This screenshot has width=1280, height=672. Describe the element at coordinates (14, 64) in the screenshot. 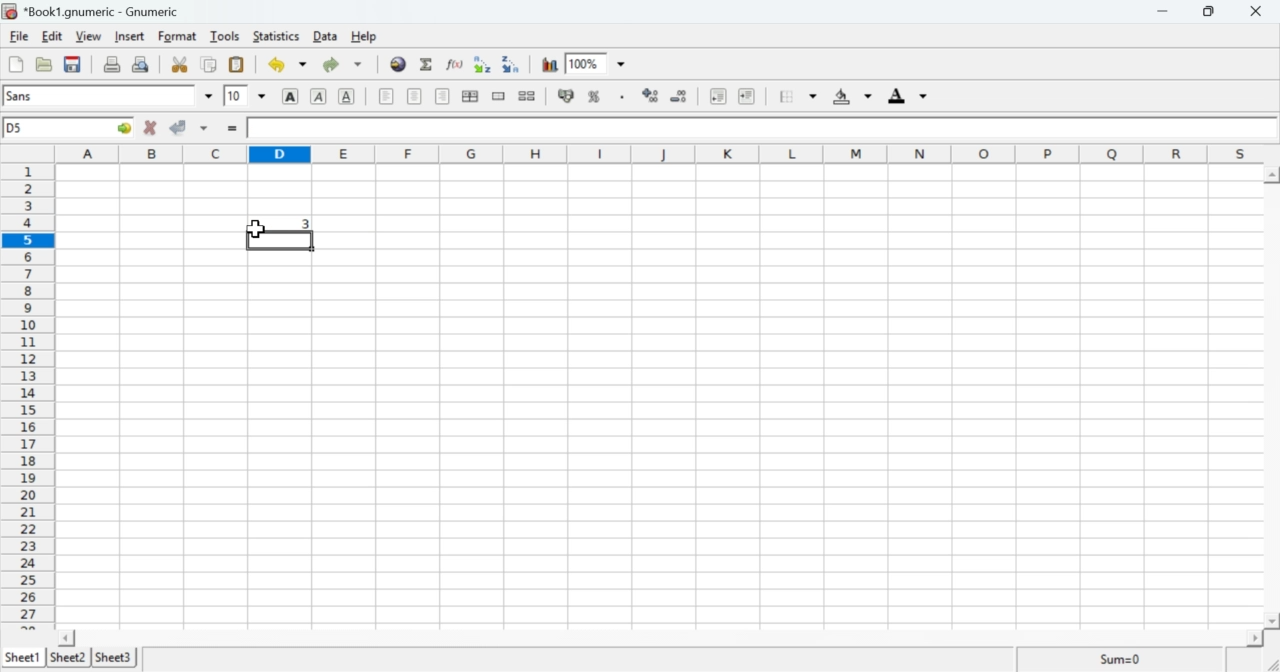

I see `Create new workbook` at that location.